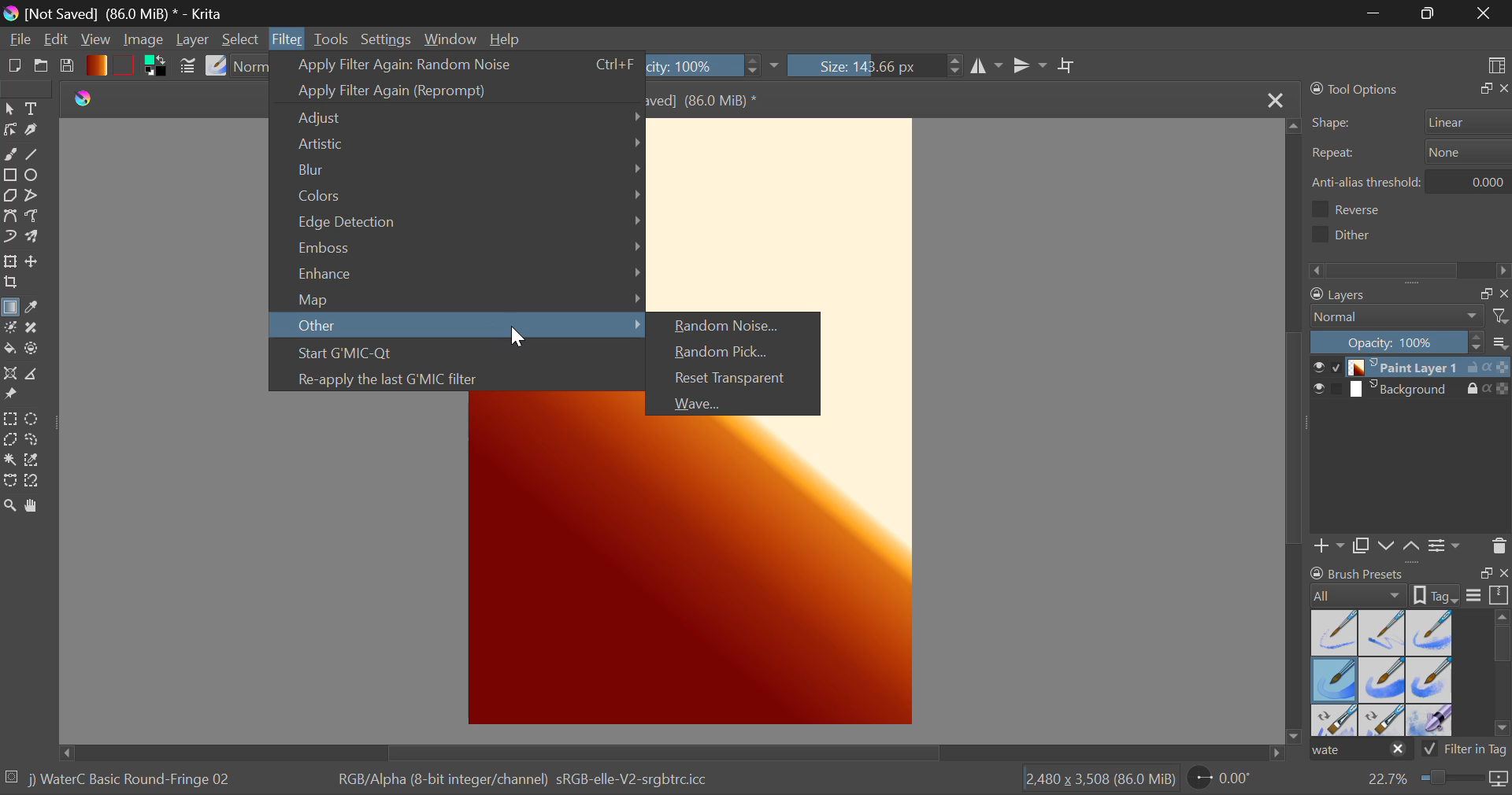 This screenshot has height=795, width=1512. What do you see at coordinates (9, 329) in the screenshot?
I see `Colorize Mask Tool` at bounding box center [9, 329].